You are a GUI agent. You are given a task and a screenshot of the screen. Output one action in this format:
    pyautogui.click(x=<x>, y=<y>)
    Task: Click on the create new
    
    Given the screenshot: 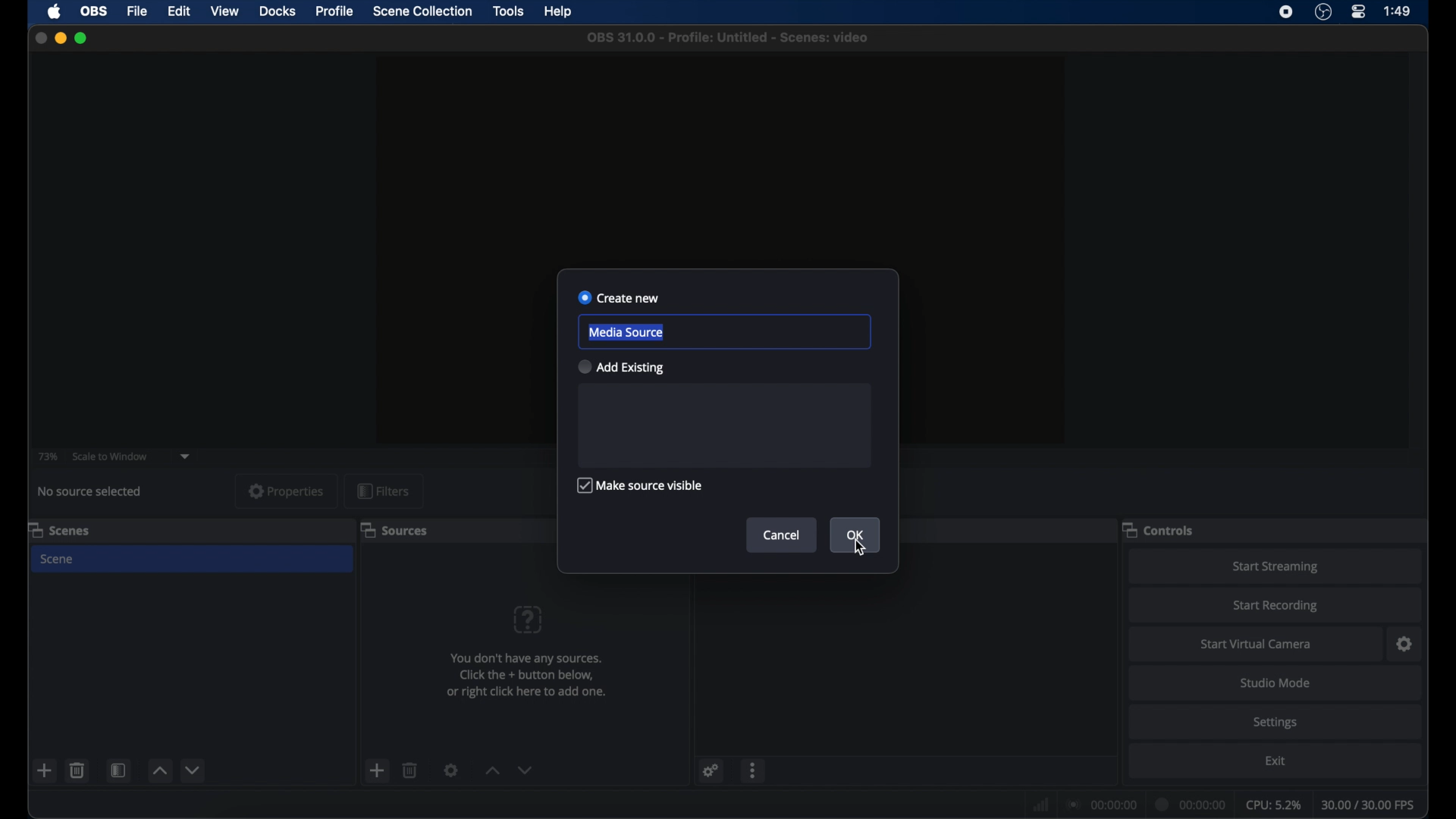 What is the action you would take?
    pyautogui.click(x=620, y=297)
    